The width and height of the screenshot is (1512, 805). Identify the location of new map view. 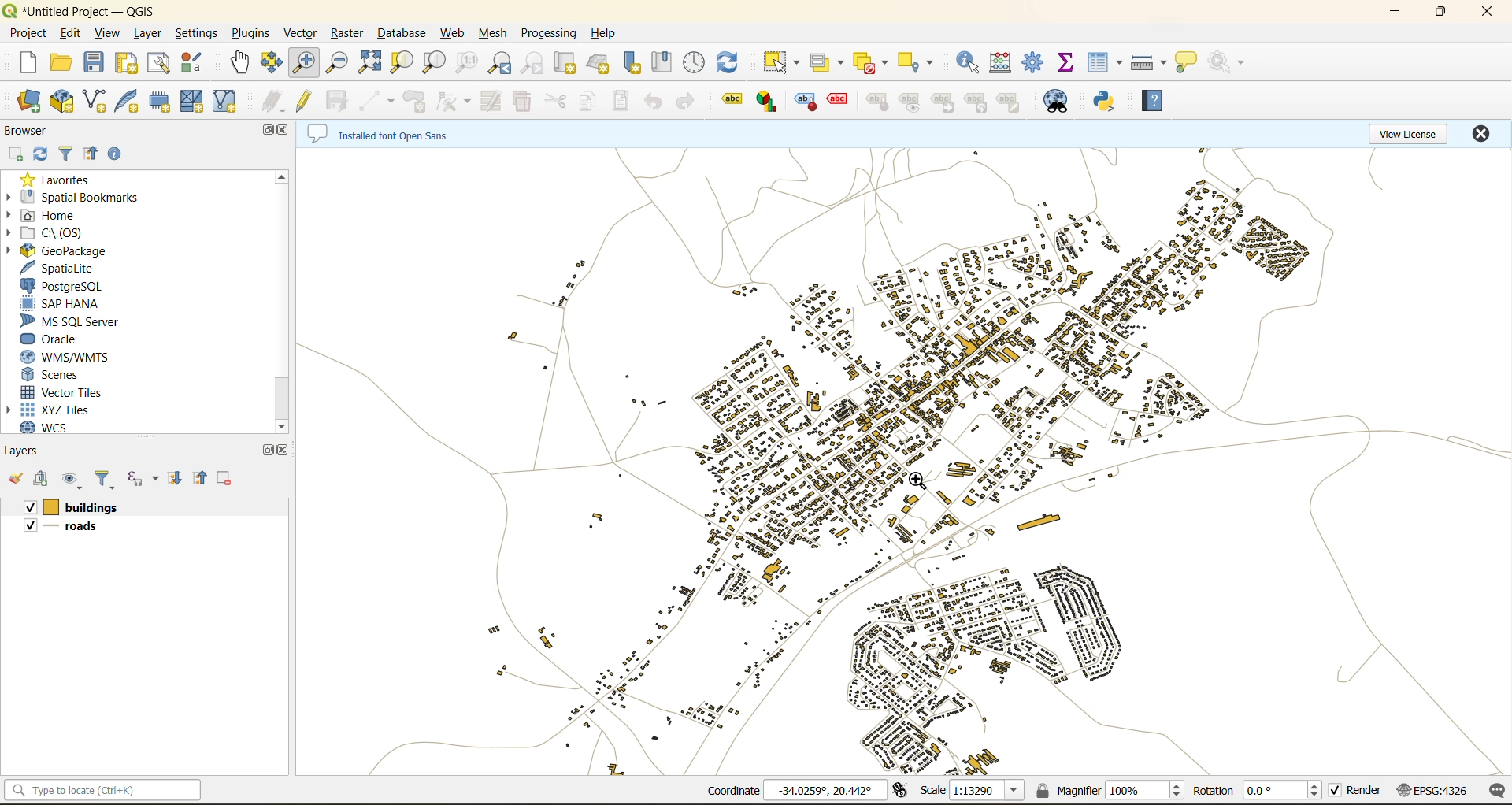
(568, 63).